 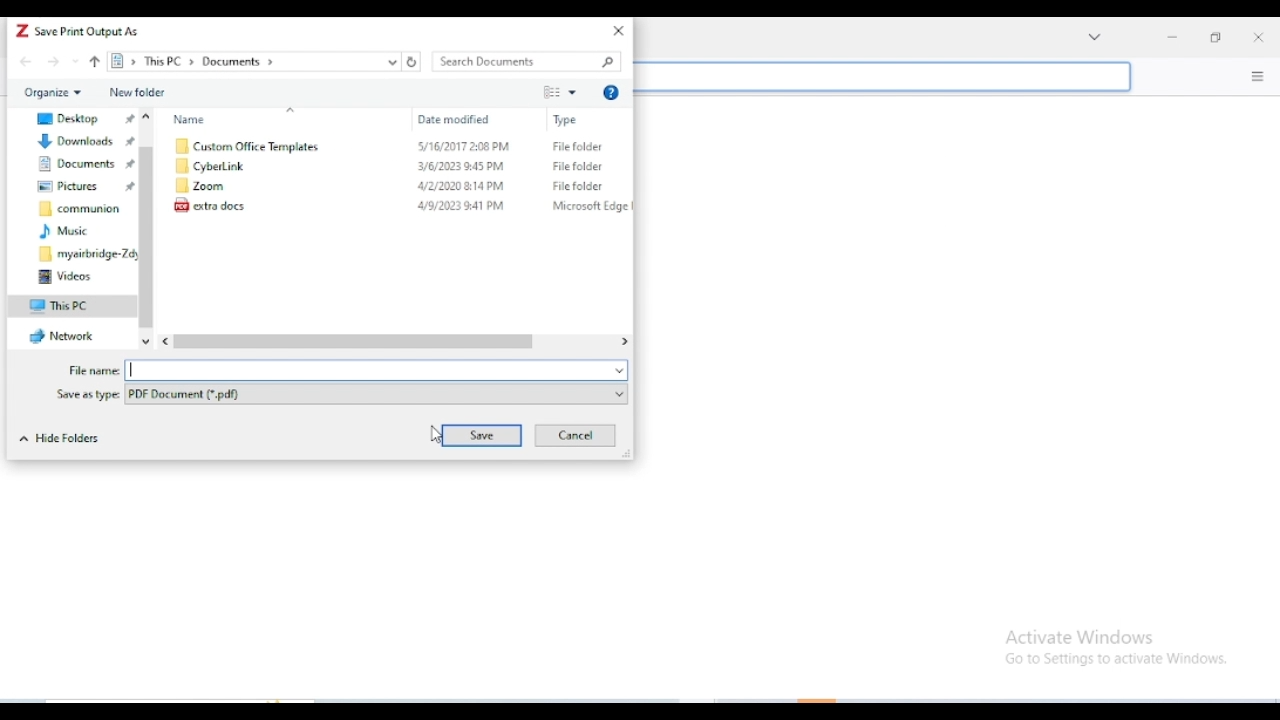 I want to click on options, so click(x=1259, y=76).